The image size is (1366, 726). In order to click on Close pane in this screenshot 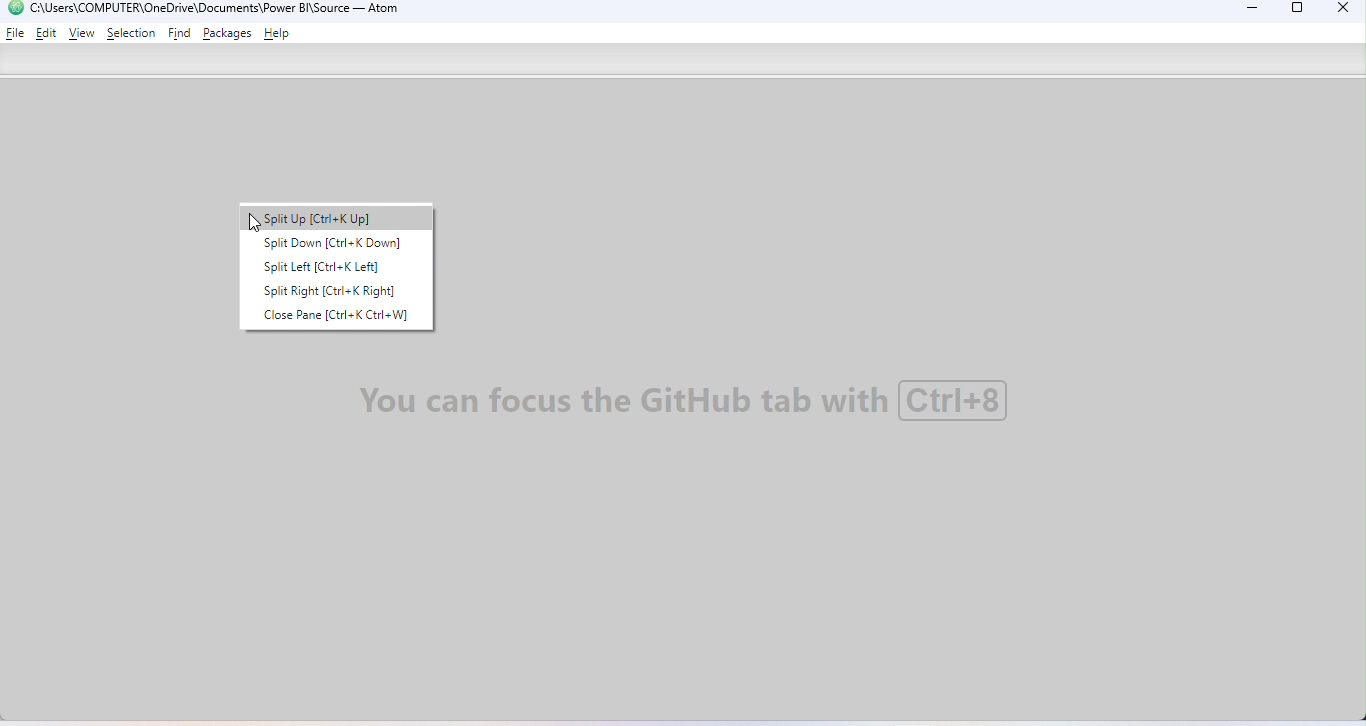, I will do `click(345, 317)`.